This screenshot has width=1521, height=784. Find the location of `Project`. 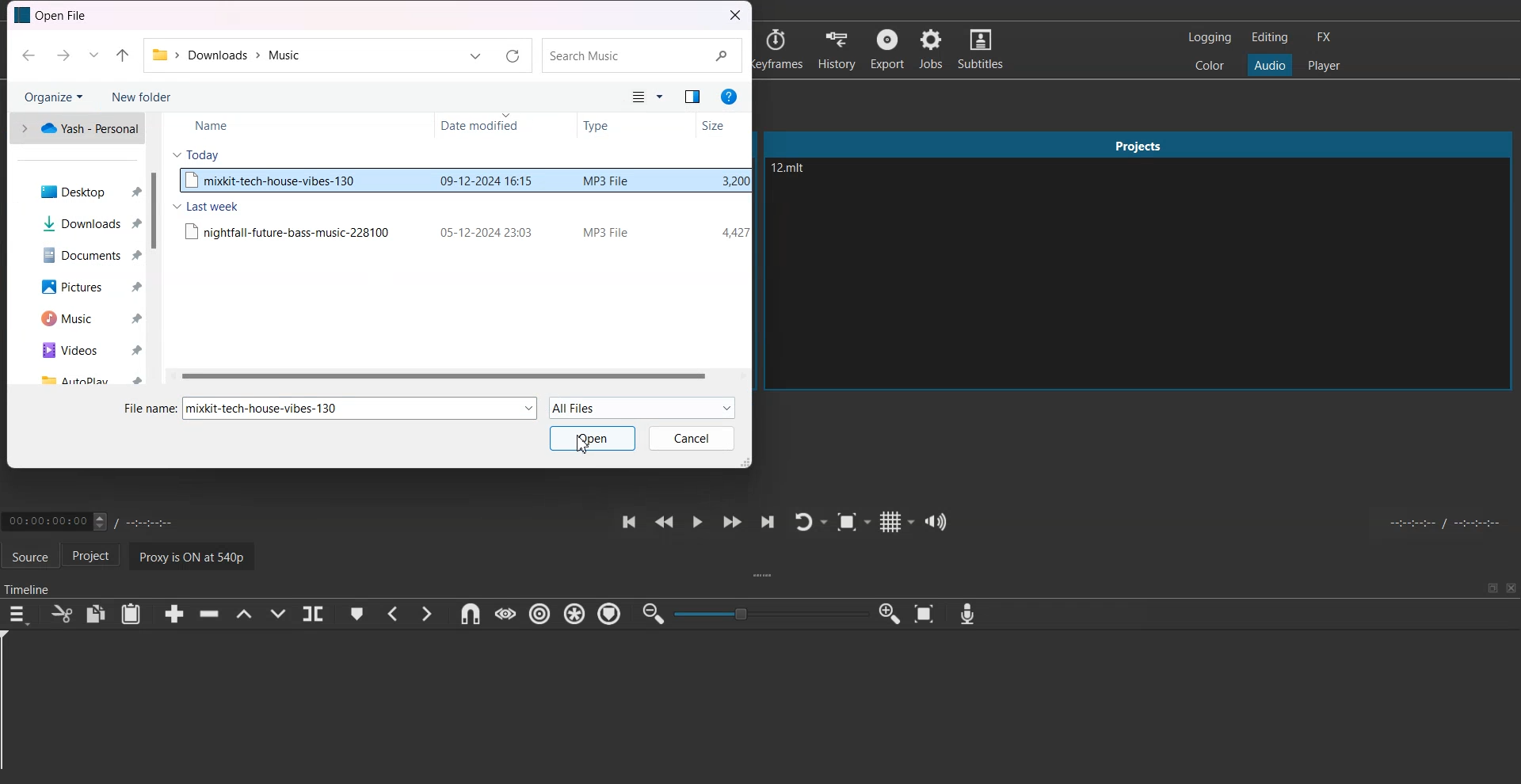

Project is located at coordinates (97, 557).